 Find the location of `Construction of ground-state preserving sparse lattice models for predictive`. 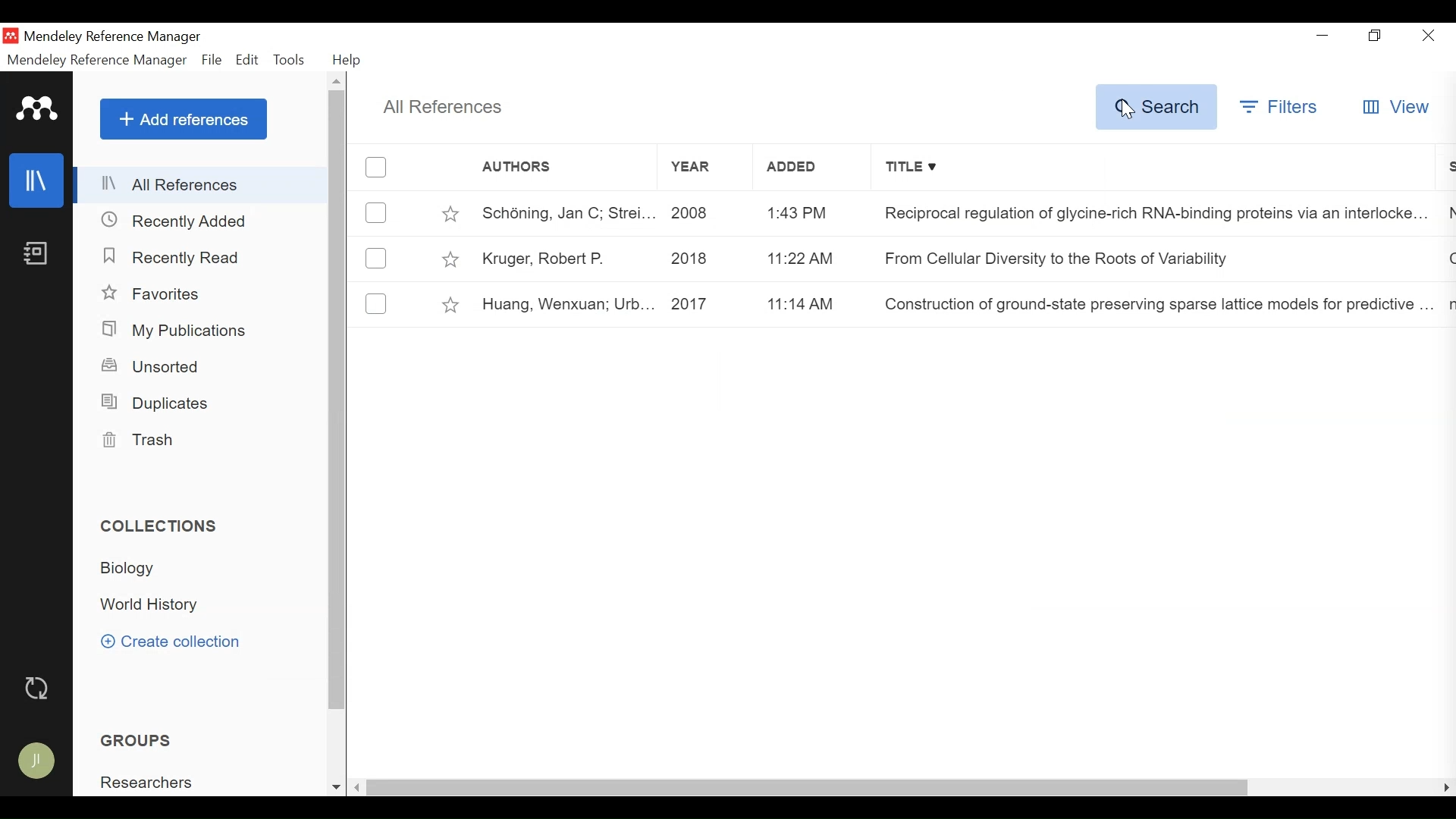

Construction of ground-state preserving sparse lattice models for predictive is located at coordinates (1151, 300).